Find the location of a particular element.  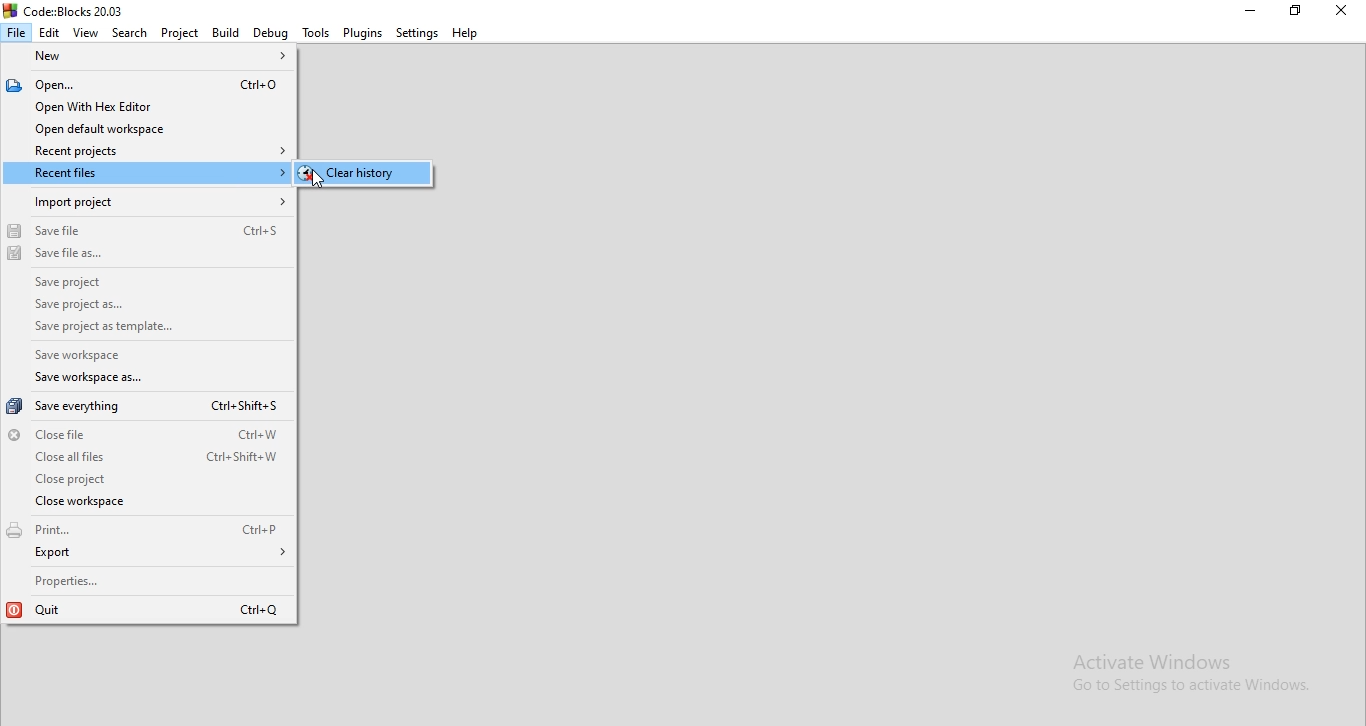

Tools  is located at coordinates (313, 33).